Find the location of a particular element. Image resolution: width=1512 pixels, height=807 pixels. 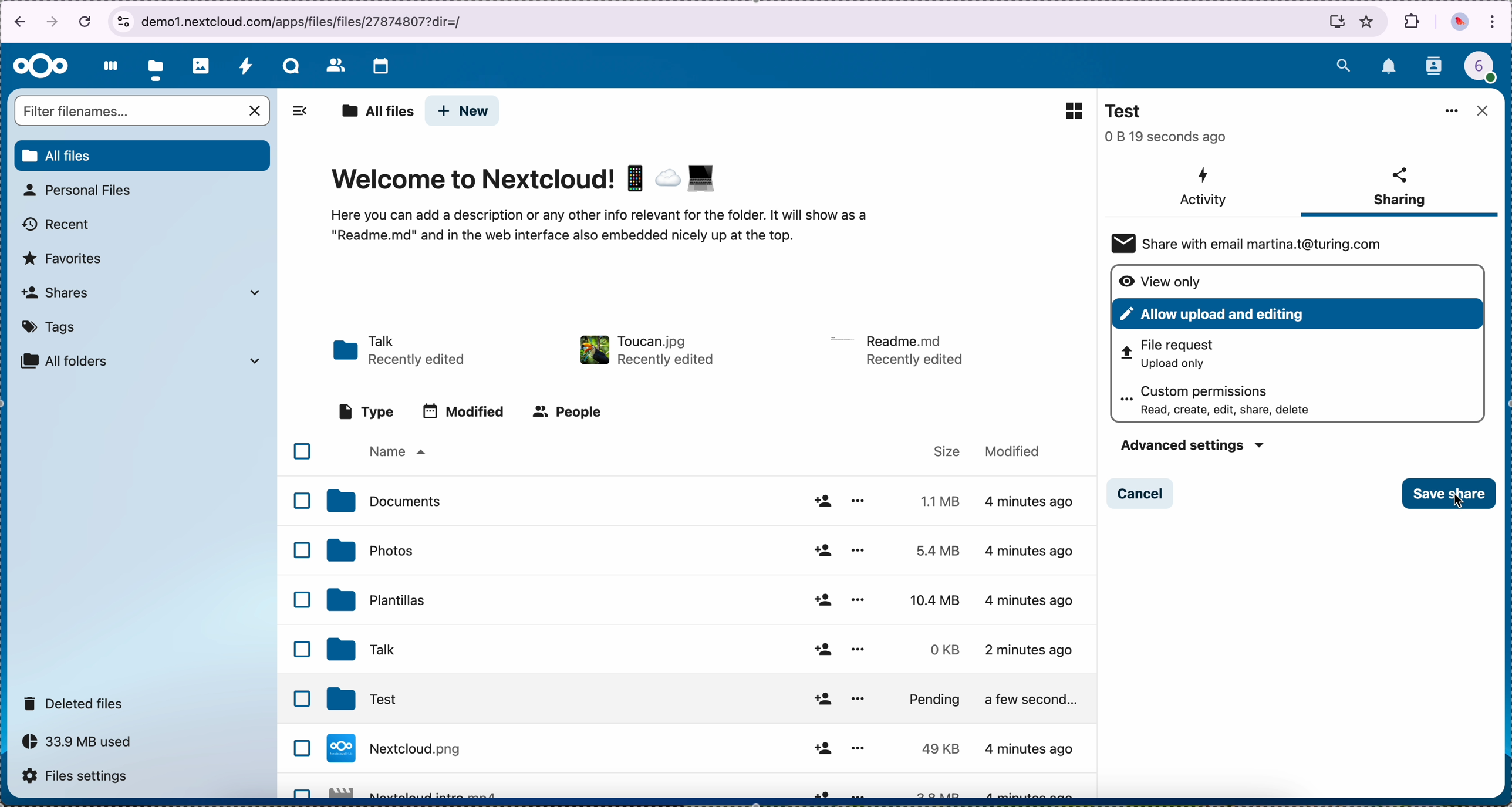

grid view is located at coordinates (1068, 110).